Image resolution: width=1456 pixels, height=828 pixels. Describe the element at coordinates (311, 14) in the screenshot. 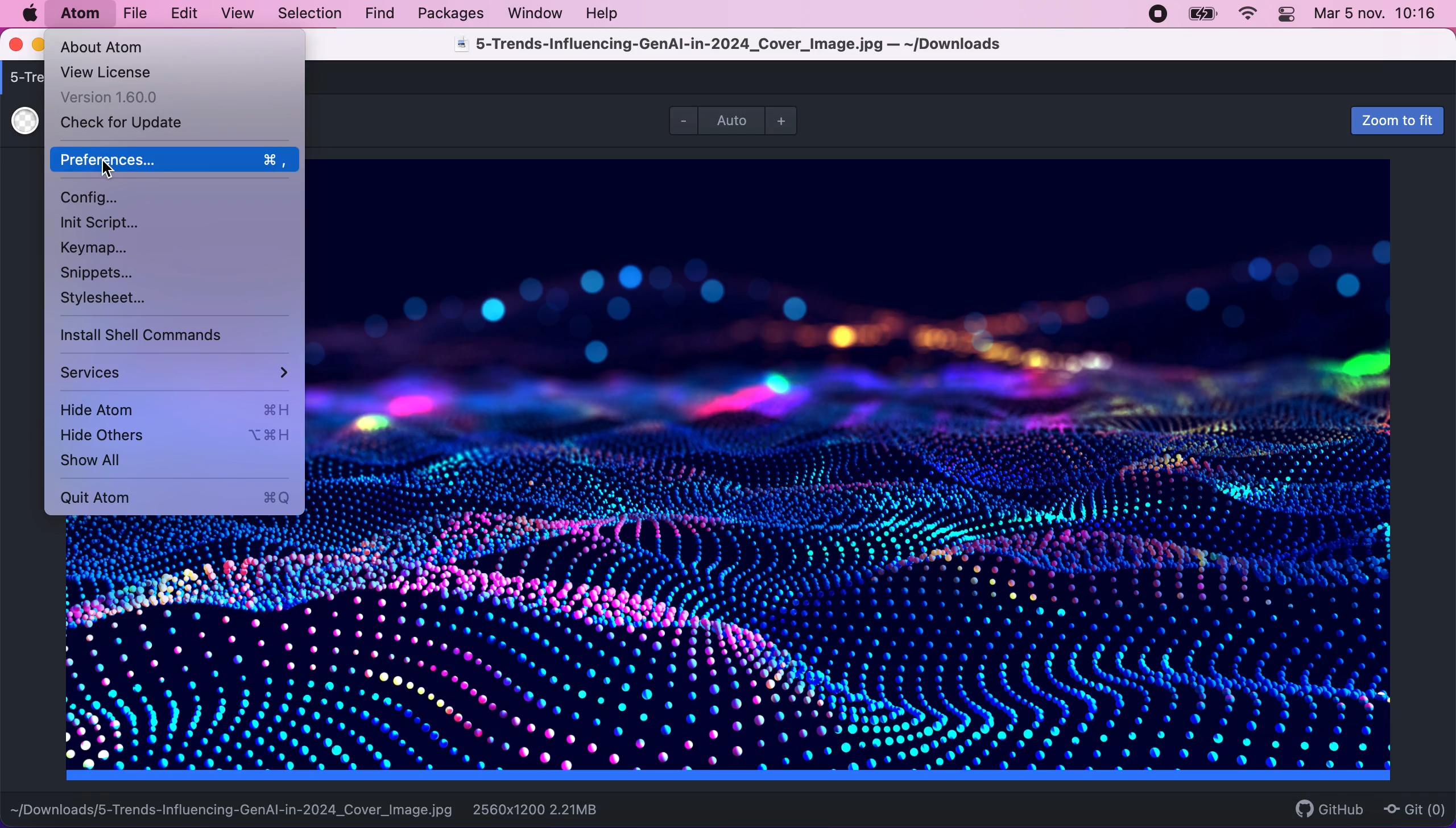

I see `selection` at that location.